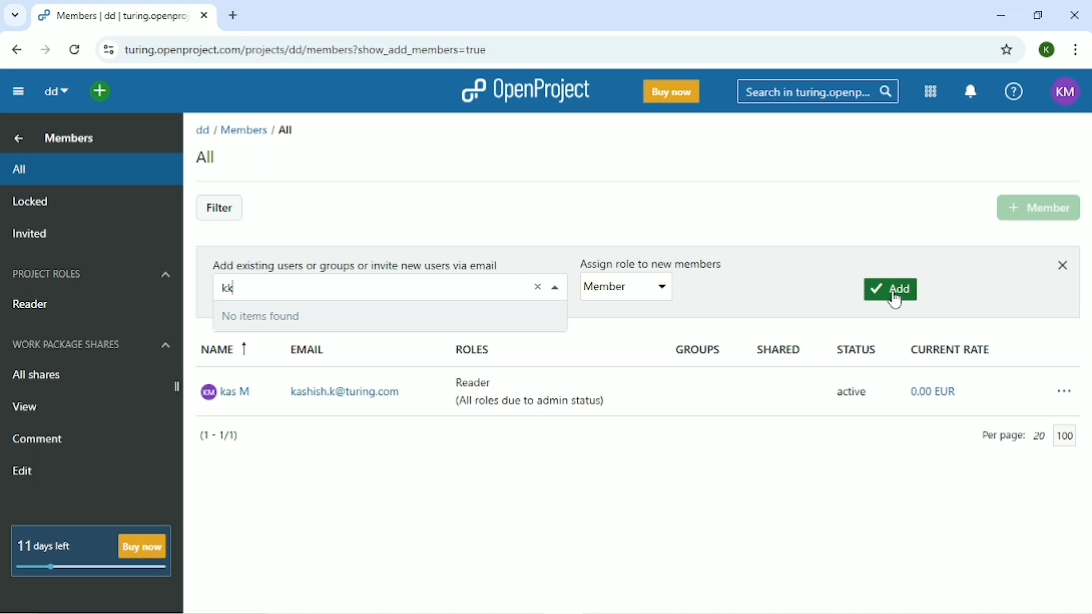 The height and width of the screenshot is (614, 1092). Describe the element at coordinates (269, 317) in the screenshot. I see `No items found` at that location.